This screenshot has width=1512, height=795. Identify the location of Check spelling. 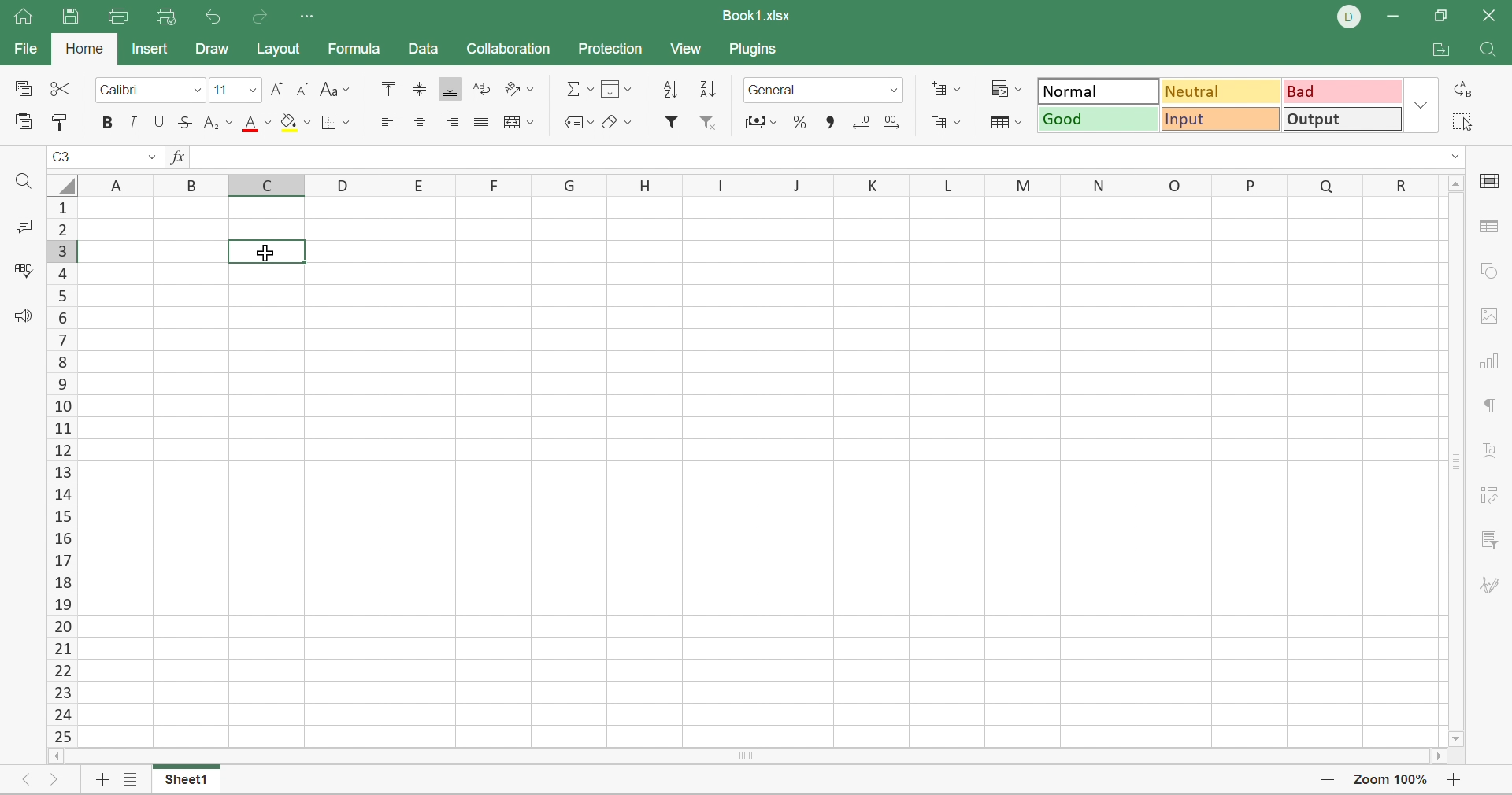
(20, 272).